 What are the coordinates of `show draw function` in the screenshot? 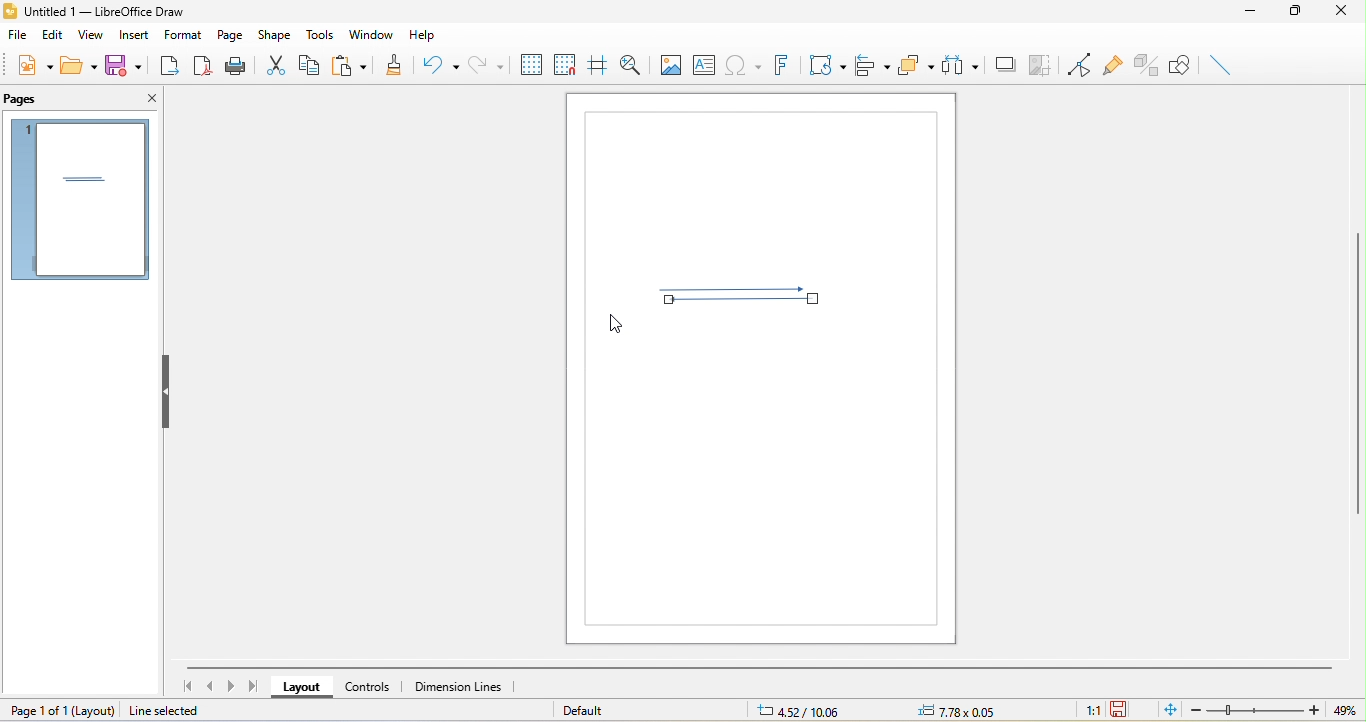 It's located at (1181, 66).